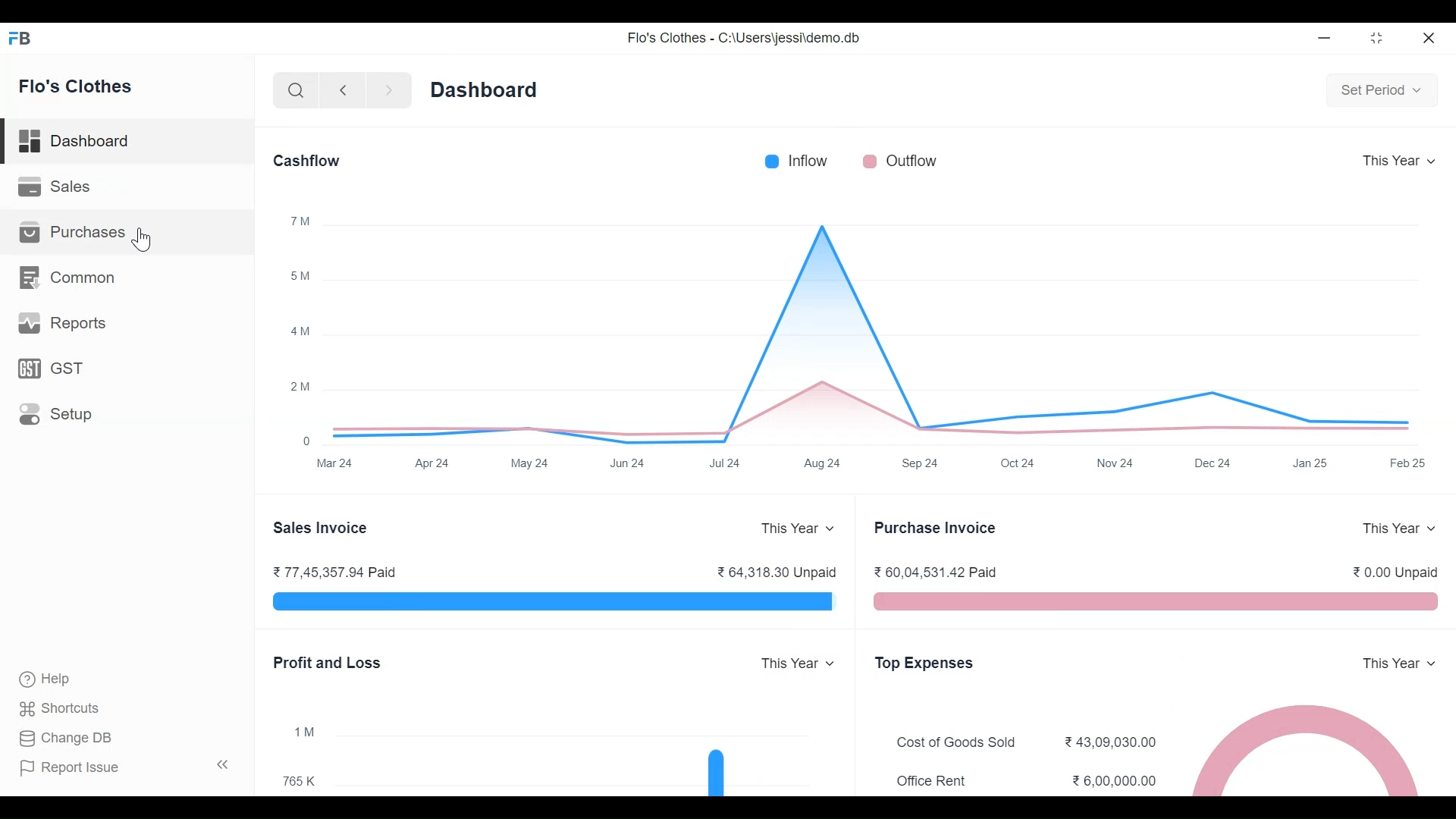 Image resolution: width=1456 pixels, height=819 pixels. Describe the element at coordinates (306, 162) in the screenshot. I see `Cashflow` at that location.